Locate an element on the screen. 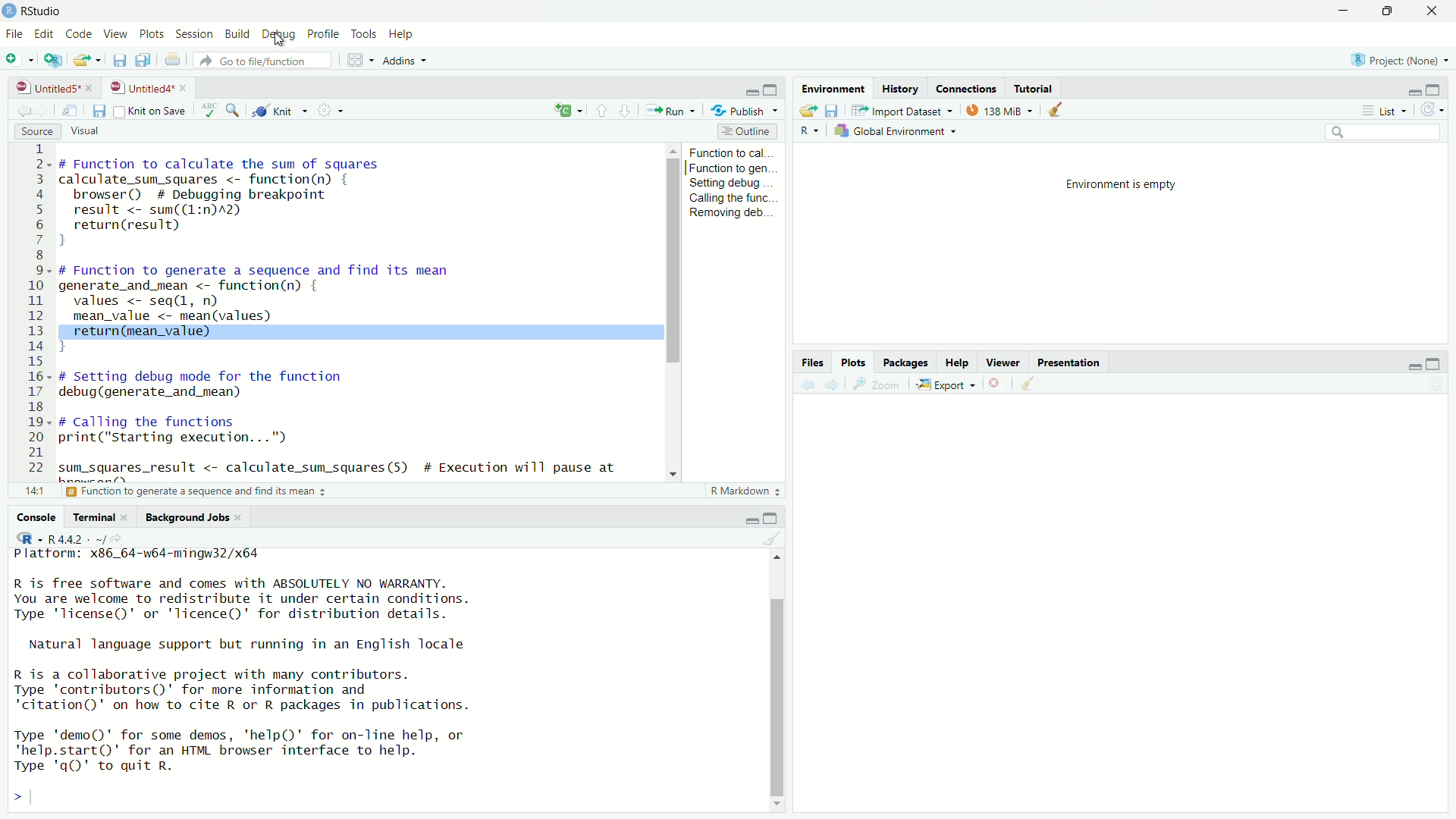 This screenshot has width=1456, height=819. code of function to generate a sequence and find its mean is located at coordinates (286, 309).